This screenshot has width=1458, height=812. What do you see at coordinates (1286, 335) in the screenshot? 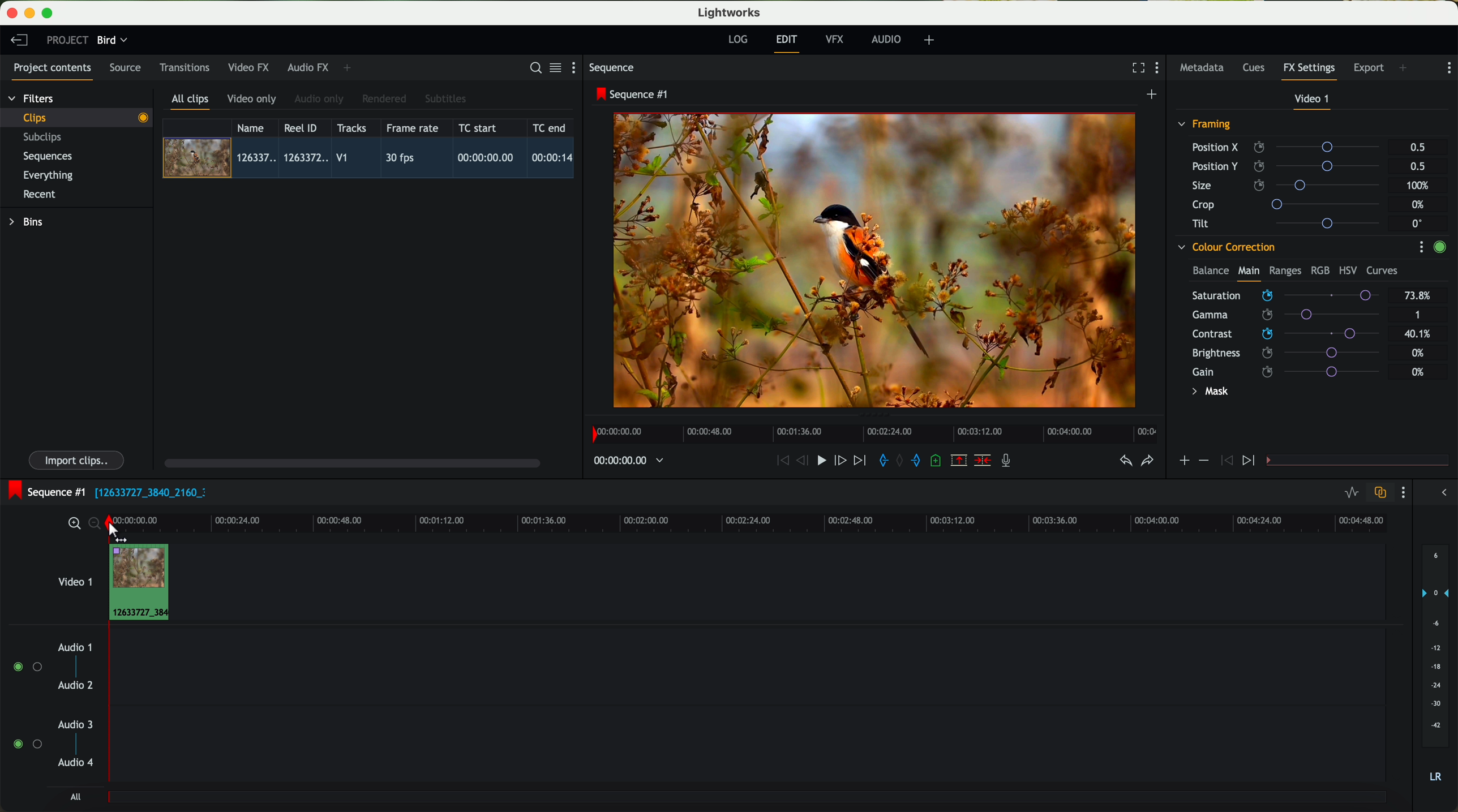
I see `click on contrast` at bounding box center [1286, 335].